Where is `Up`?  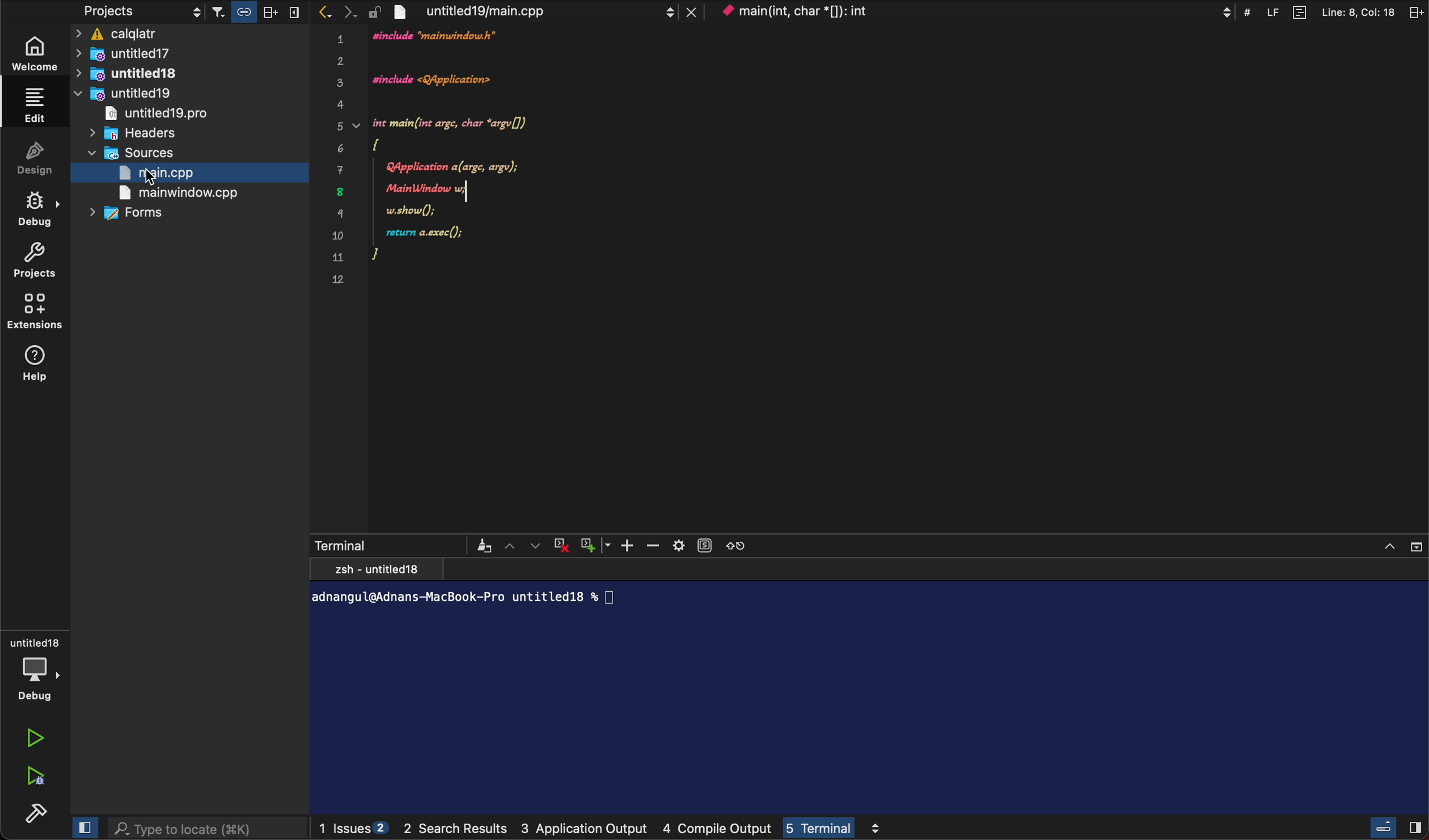
Up is located at coordinates (511, 545).